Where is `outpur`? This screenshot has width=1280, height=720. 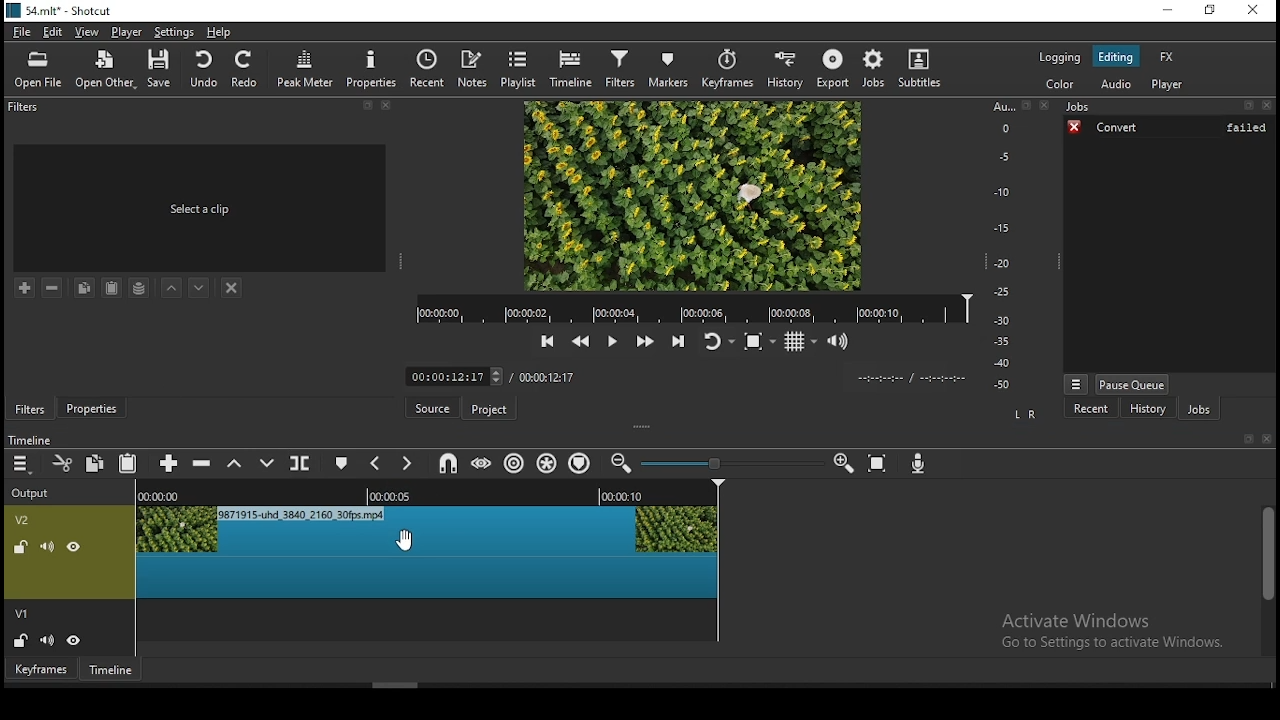 outpur is located at coordinates (35, 492).